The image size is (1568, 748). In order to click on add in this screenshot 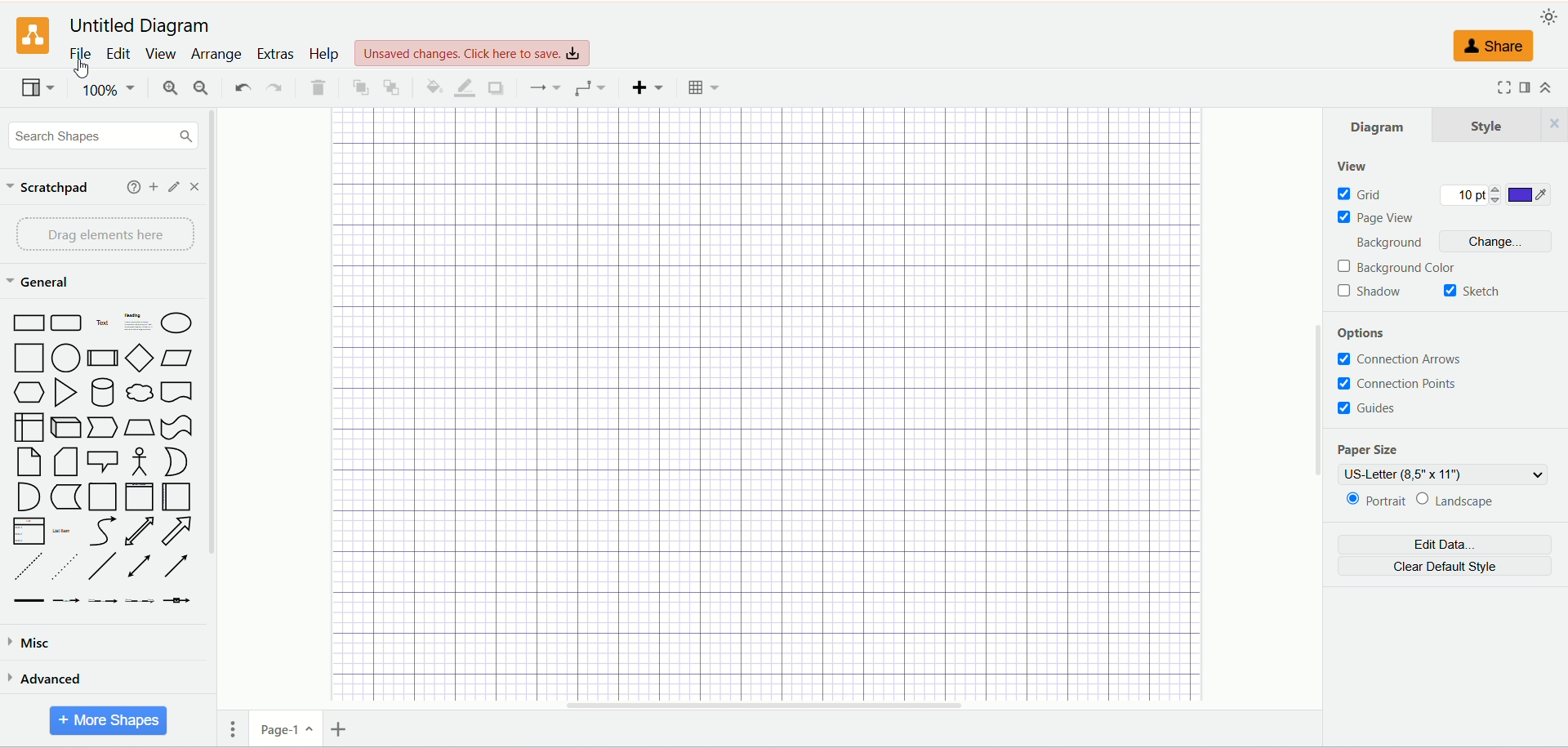, I will do `click(150, 186)`.